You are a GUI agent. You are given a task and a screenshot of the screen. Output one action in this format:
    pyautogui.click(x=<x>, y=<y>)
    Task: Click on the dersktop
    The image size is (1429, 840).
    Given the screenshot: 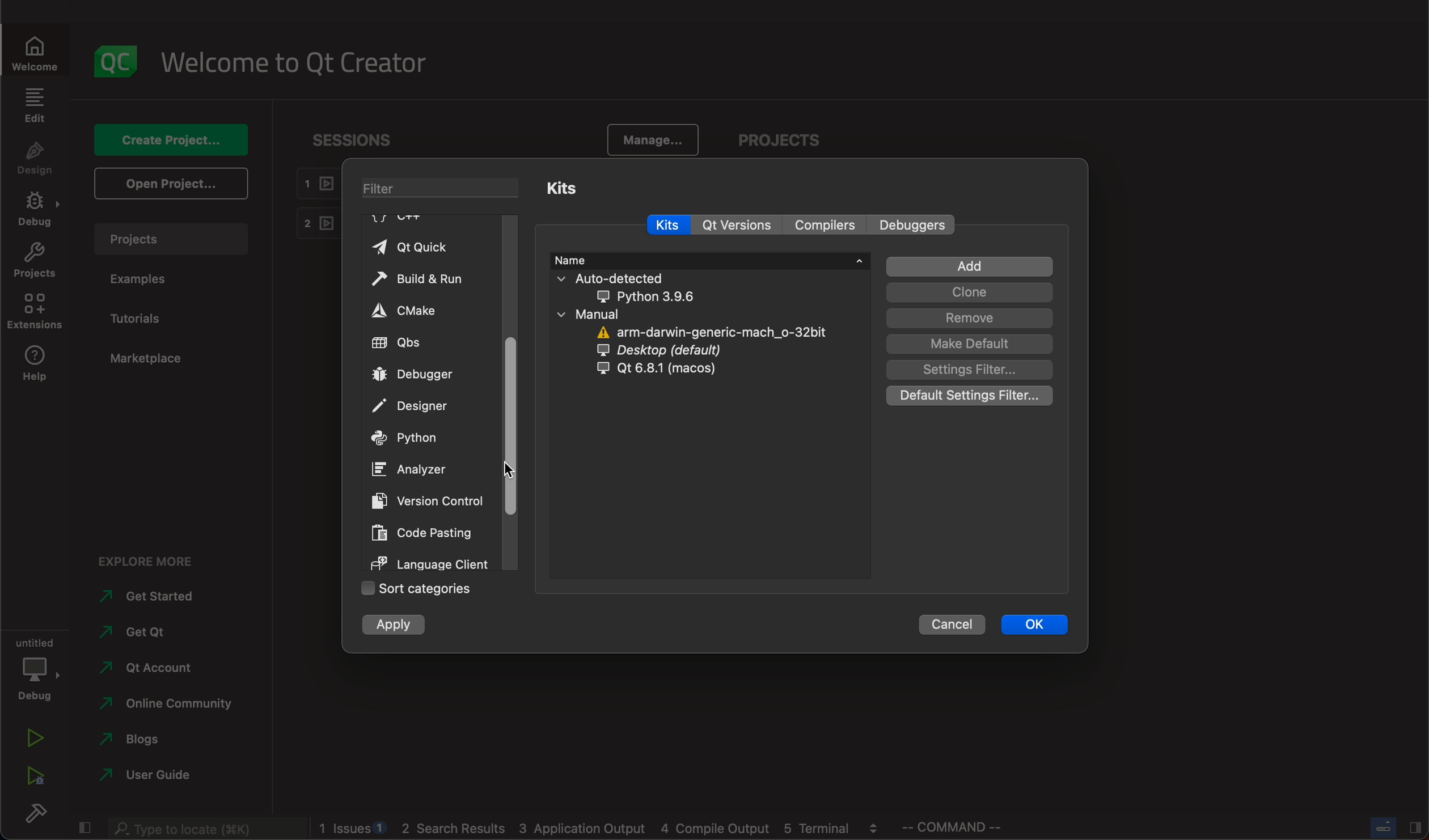 What is the action you would take?
    pyautogui.click(x=673, y=351)
    